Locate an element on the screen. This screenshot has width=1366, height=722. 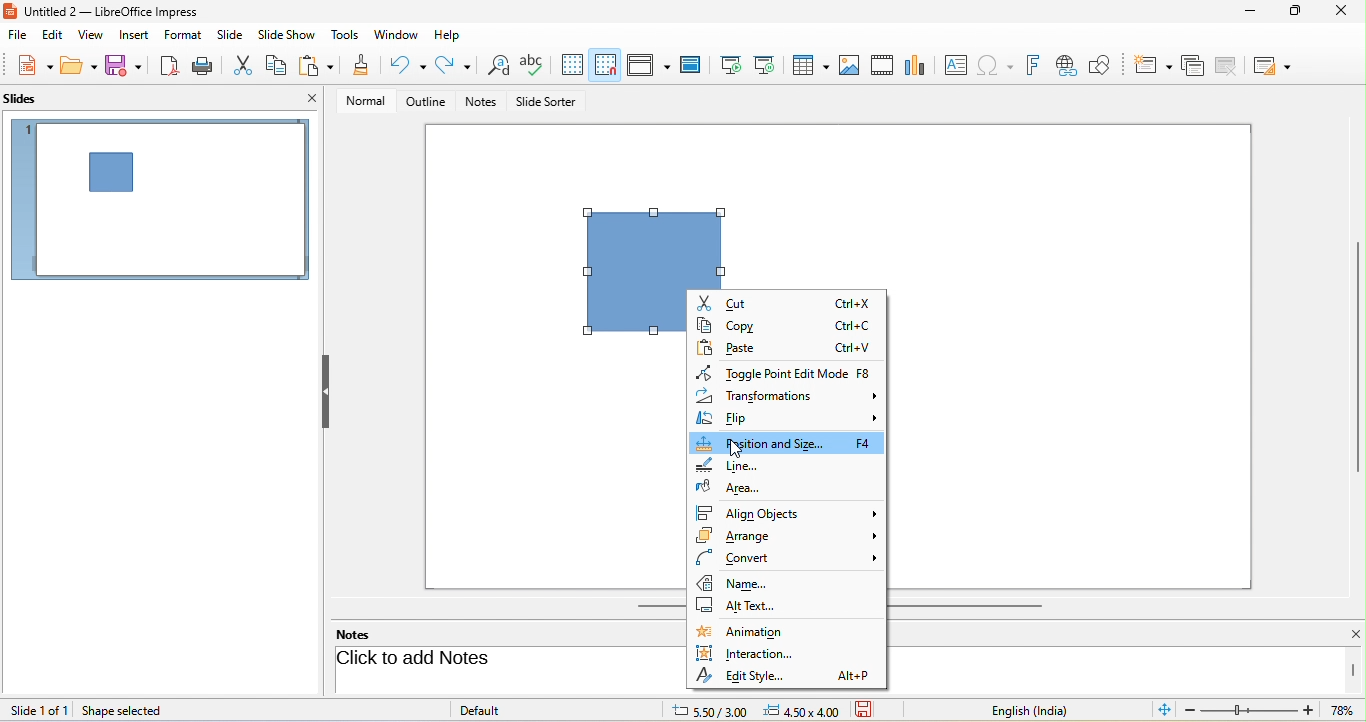
vertical scroll bar is located at coordinates (1354, 670).